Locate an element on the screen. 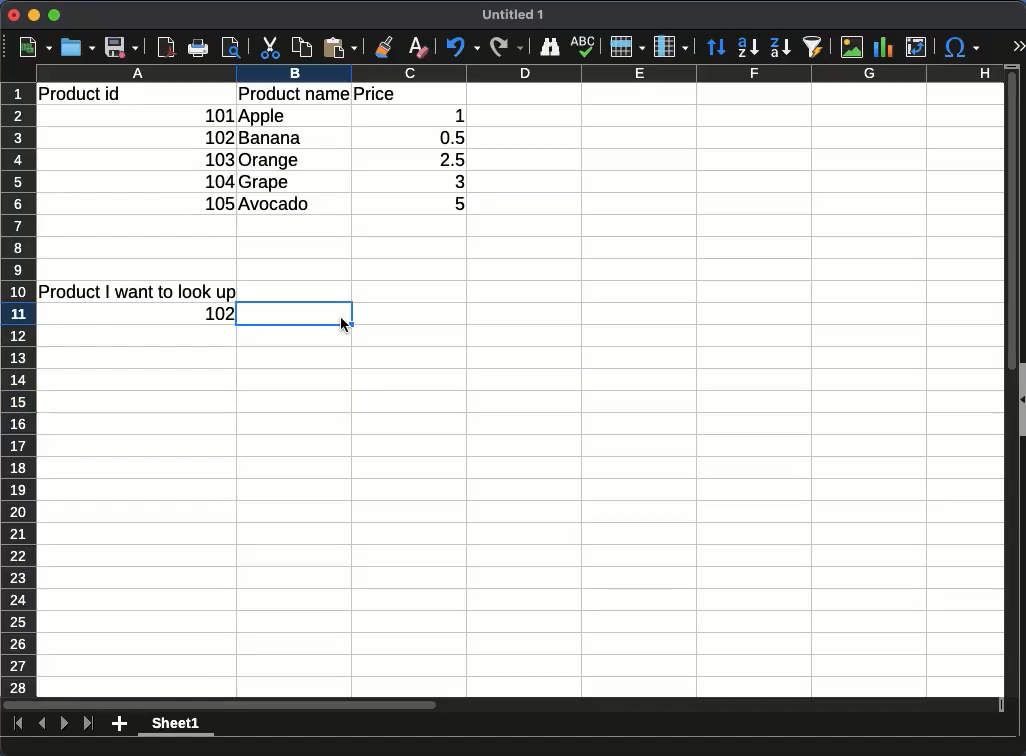 This screenshot has width=1026, height=756. print is located at coordinates (198, 47).